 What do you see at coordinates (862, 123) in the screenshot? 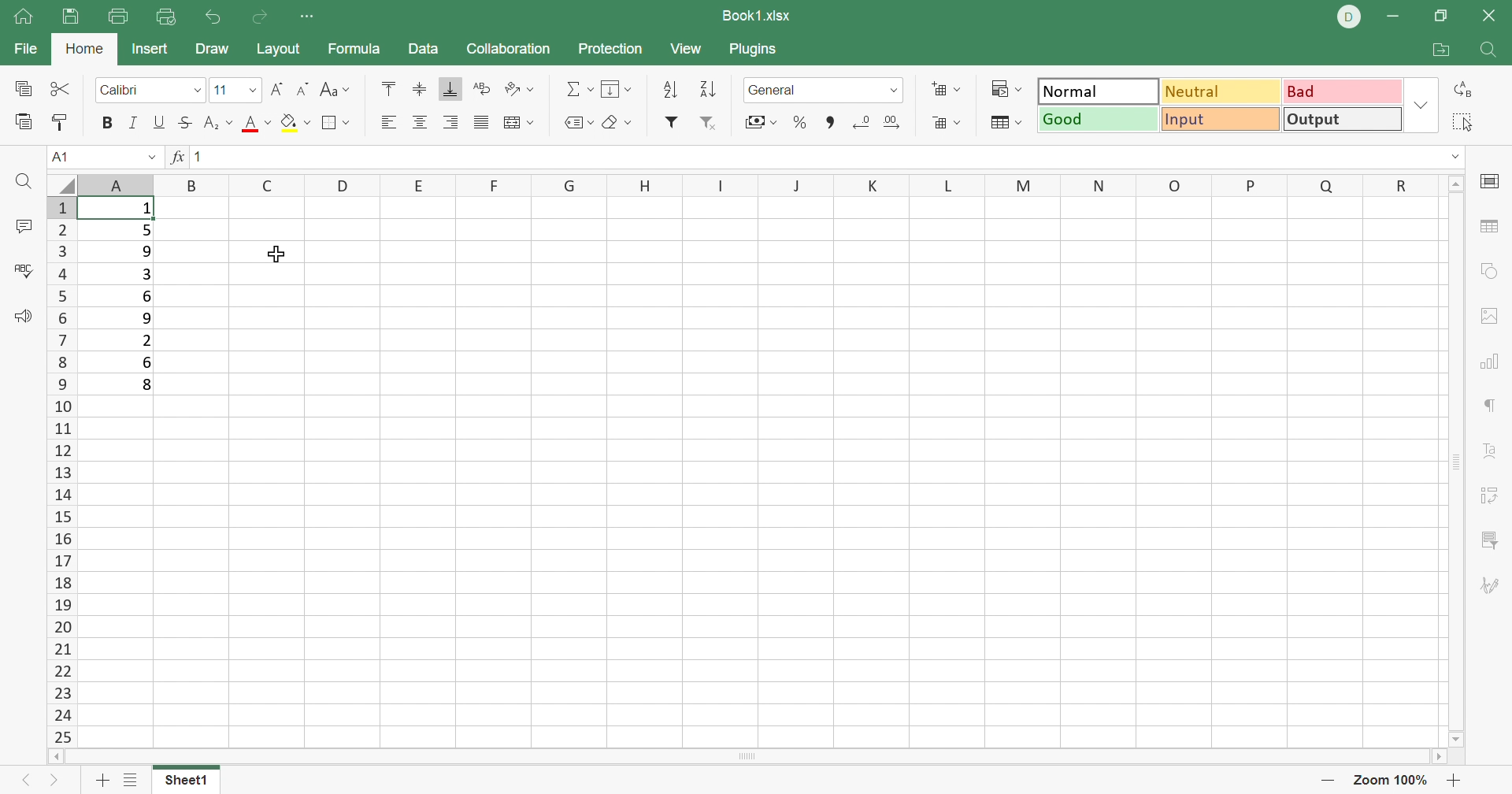
I see `Decrease decimal` at bounding box center [862, 123].